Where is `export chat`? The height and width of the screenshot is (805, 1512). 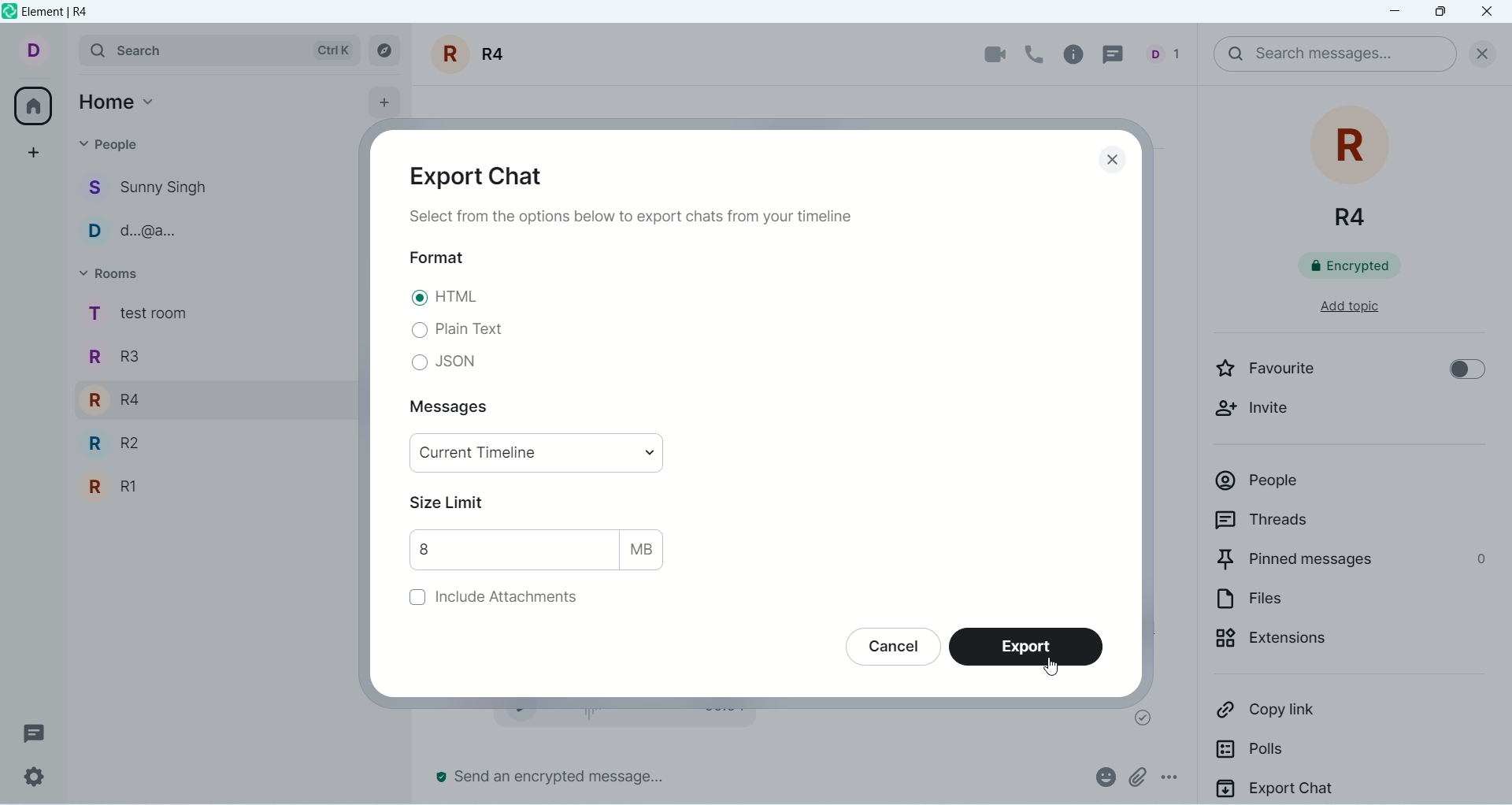
export chat is located at coordinates (1347, 788).